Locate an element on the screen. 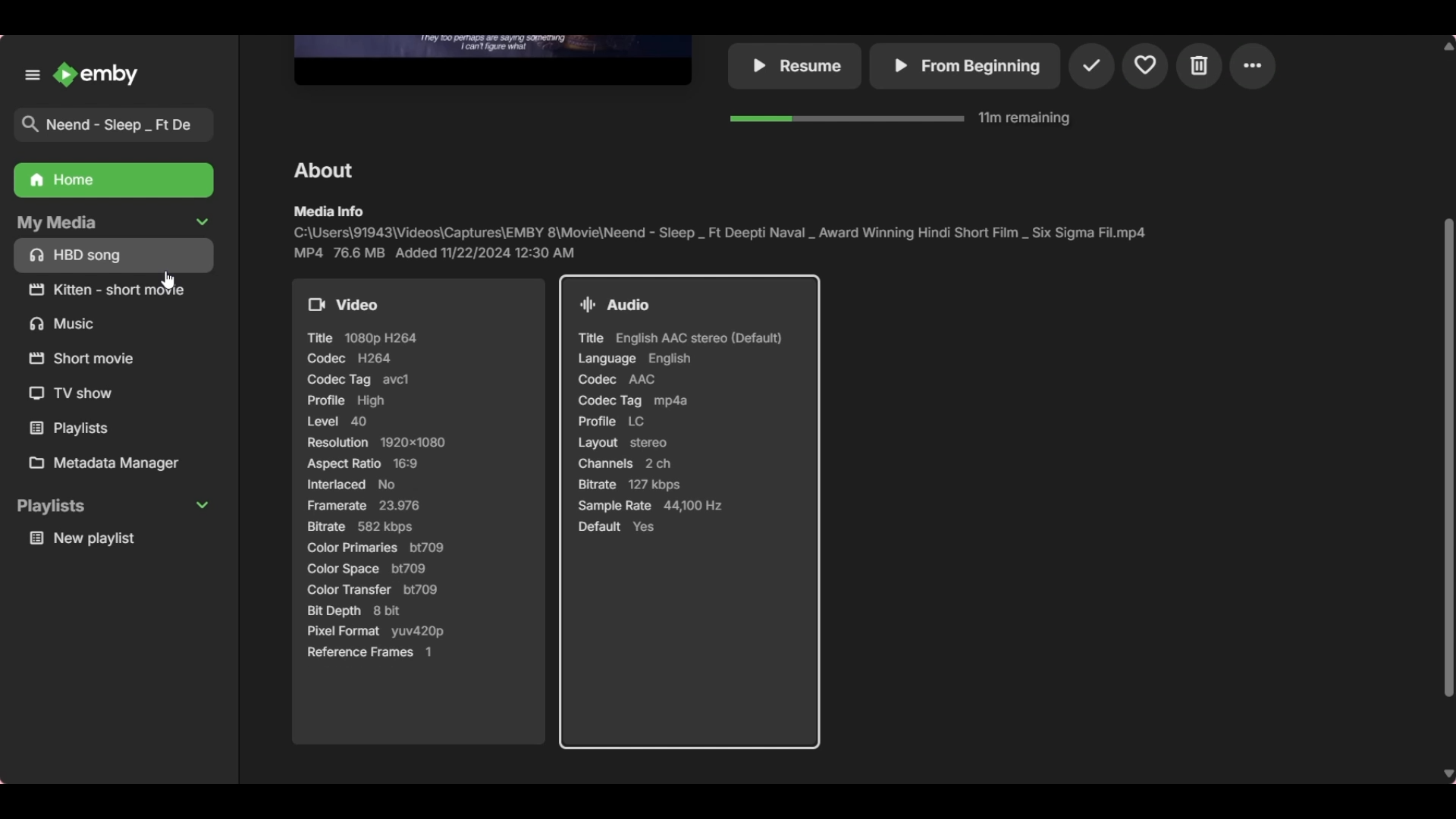 Image resolution: width=1456 pixels, height=819 pixels. Go to home is located at coordinates (96, 74).